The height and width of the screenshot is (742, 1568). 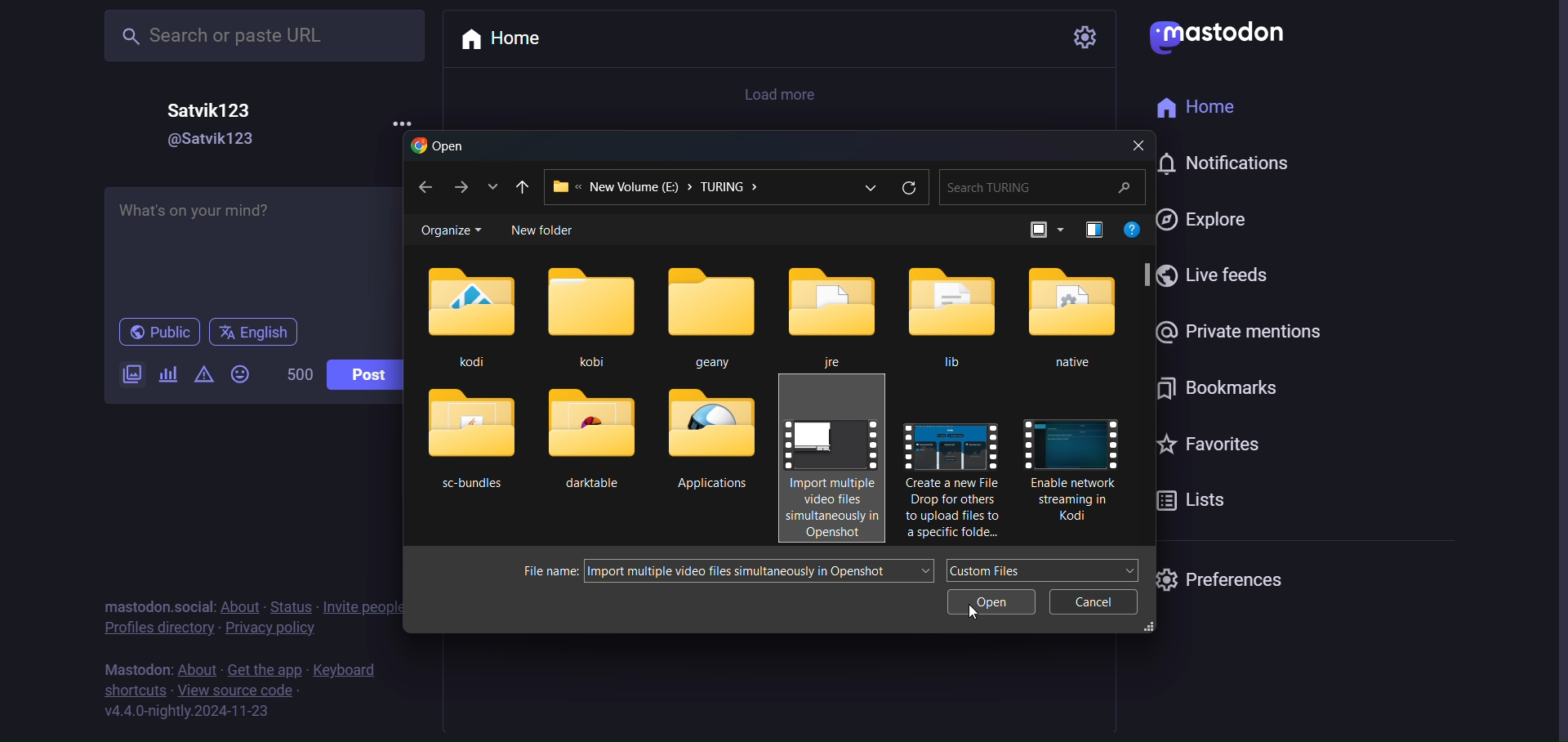 I want to click on New Volume (E) > TURING >, so click(x=690, y=186).